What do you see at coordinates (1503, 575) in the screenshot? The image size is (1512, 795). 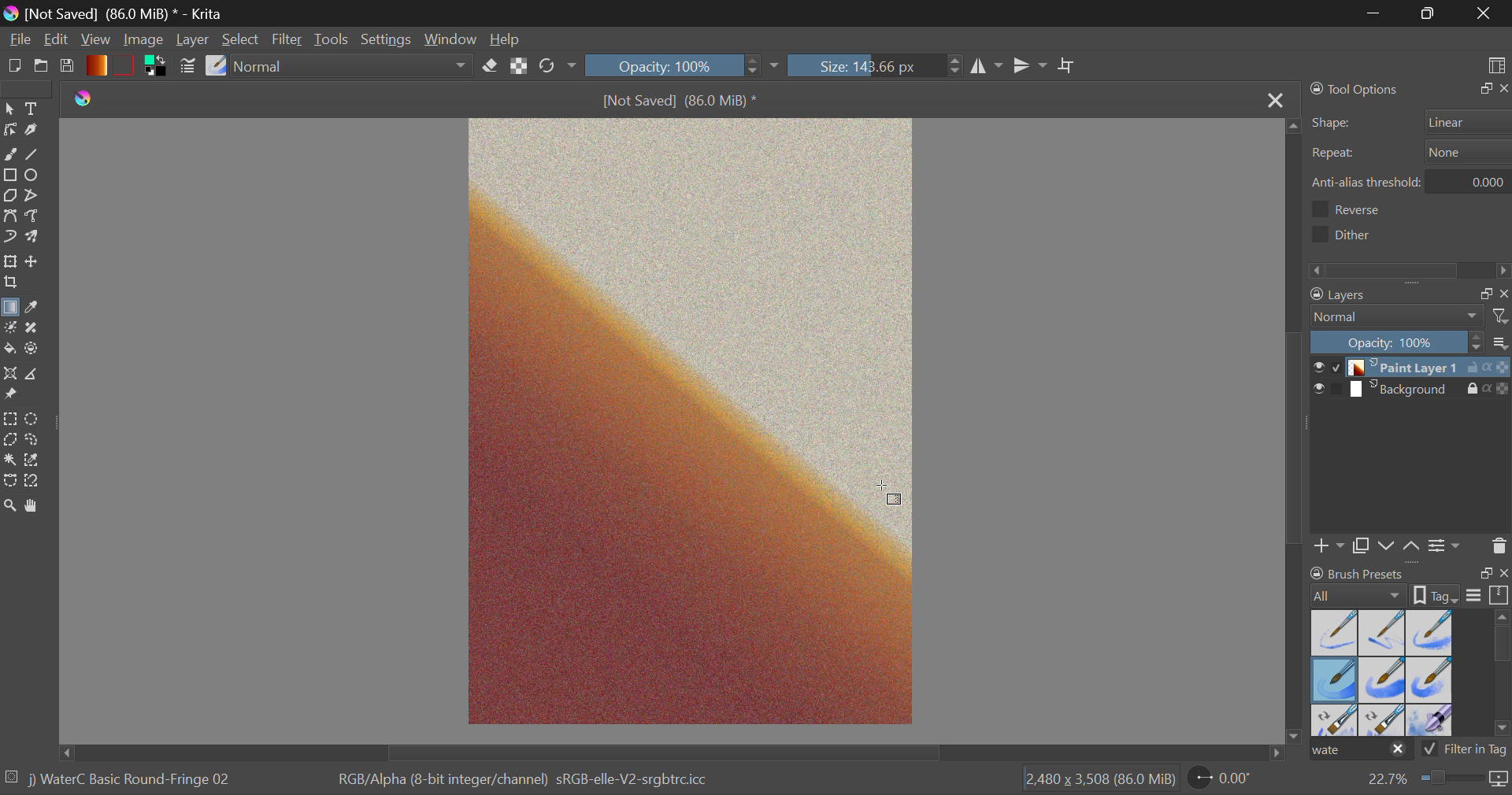 I see `close` at bounding box center [1503, 575].